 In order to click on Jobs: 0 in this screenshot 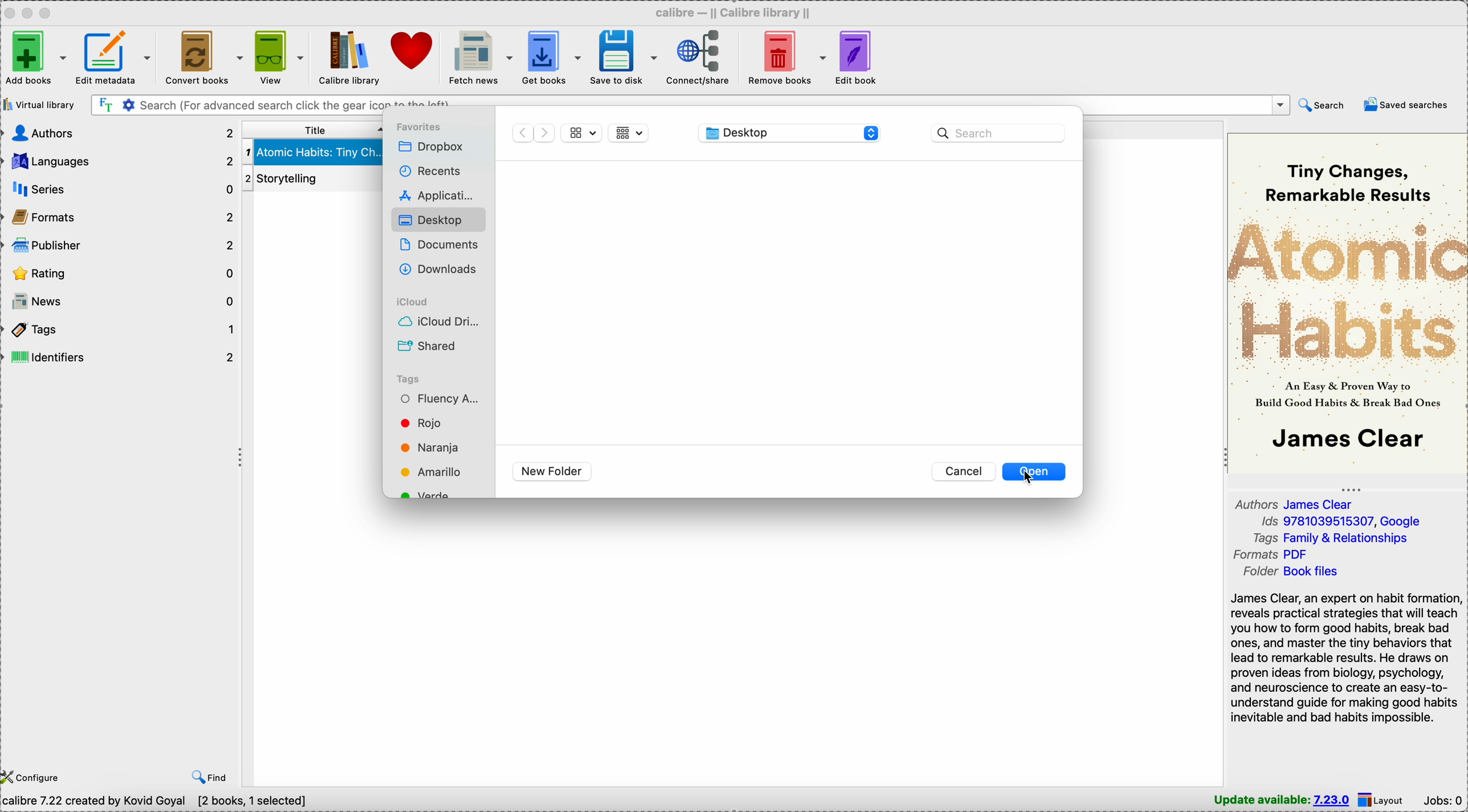, I will do `click(1442, 799)`.